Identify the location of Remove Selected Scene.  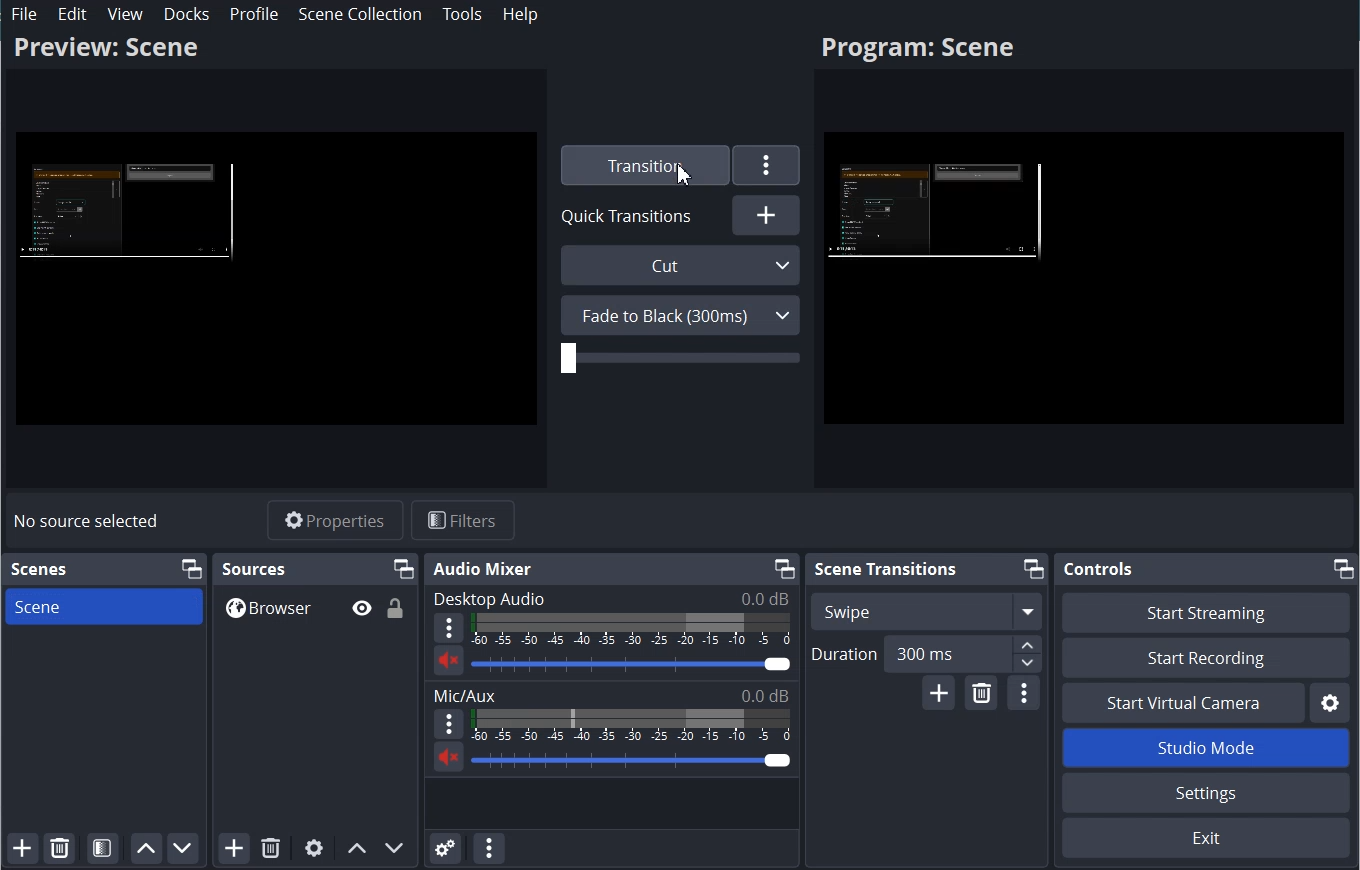
(60, 847).